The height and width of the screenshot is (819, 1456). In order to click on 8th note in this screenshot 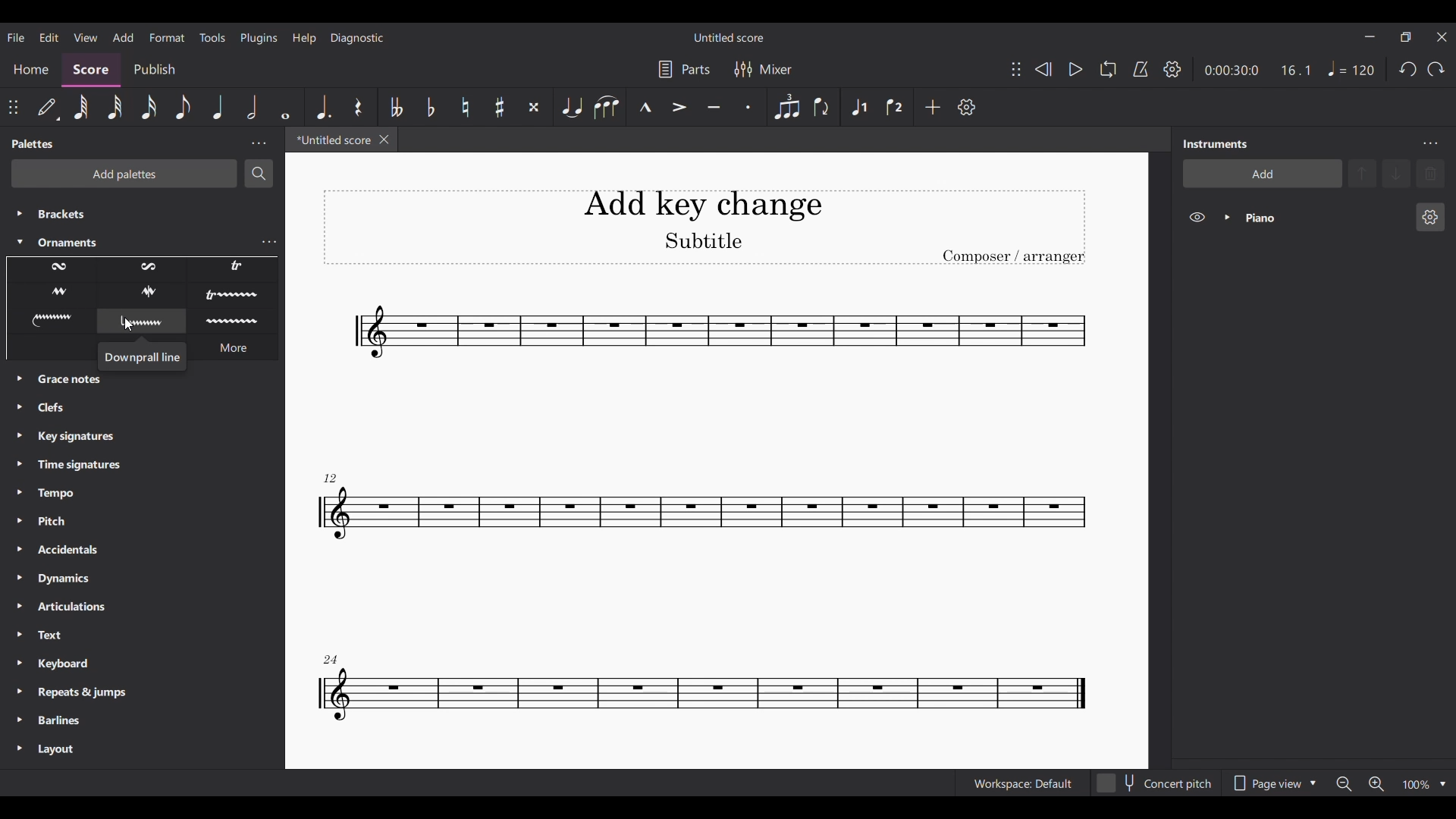, I will do `click(183, 107)`.